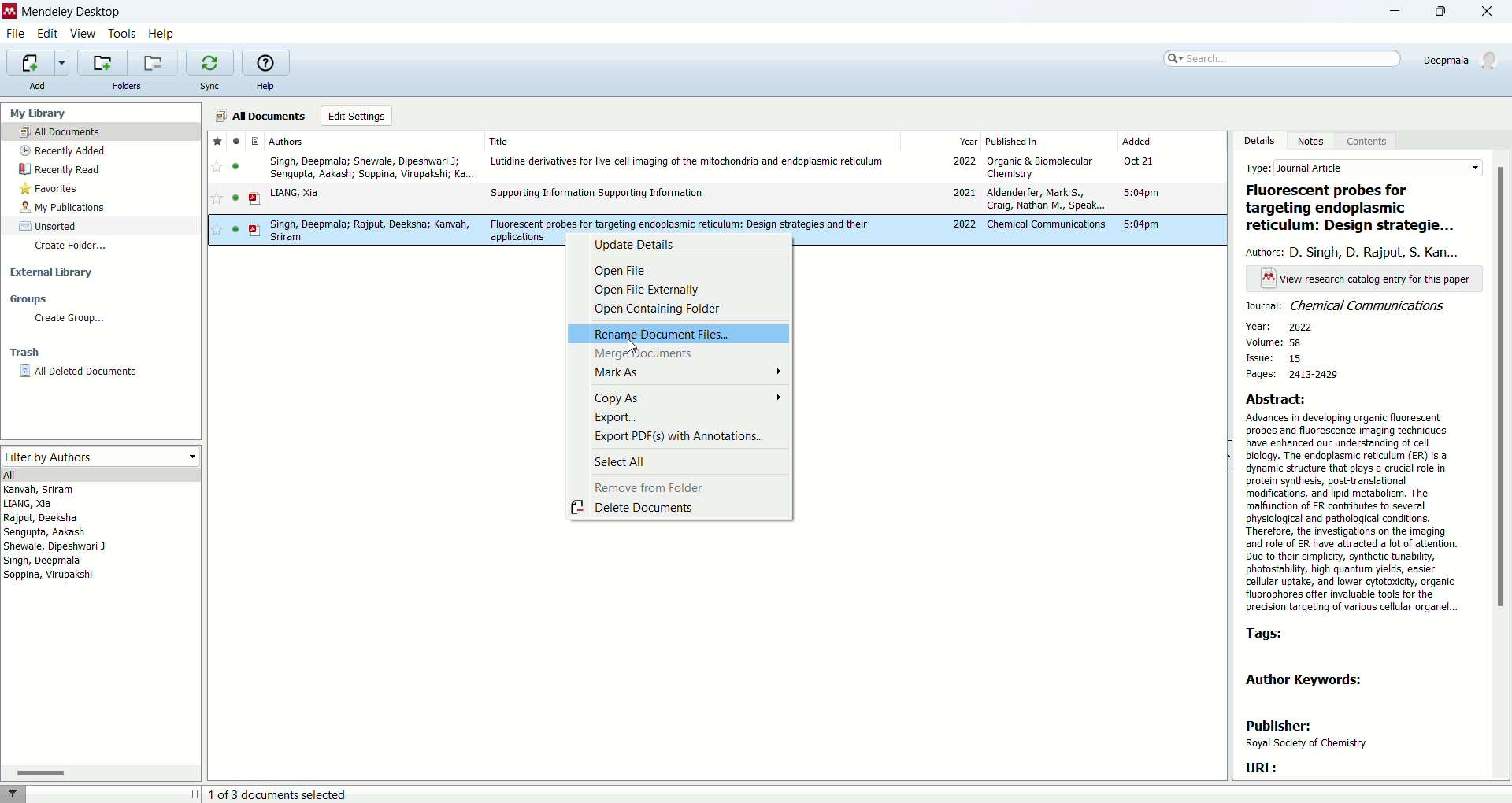 The image size is (1512, 803). Describe the element at coordinates (962, 162) in the screenshot. I see `2022` at that location.